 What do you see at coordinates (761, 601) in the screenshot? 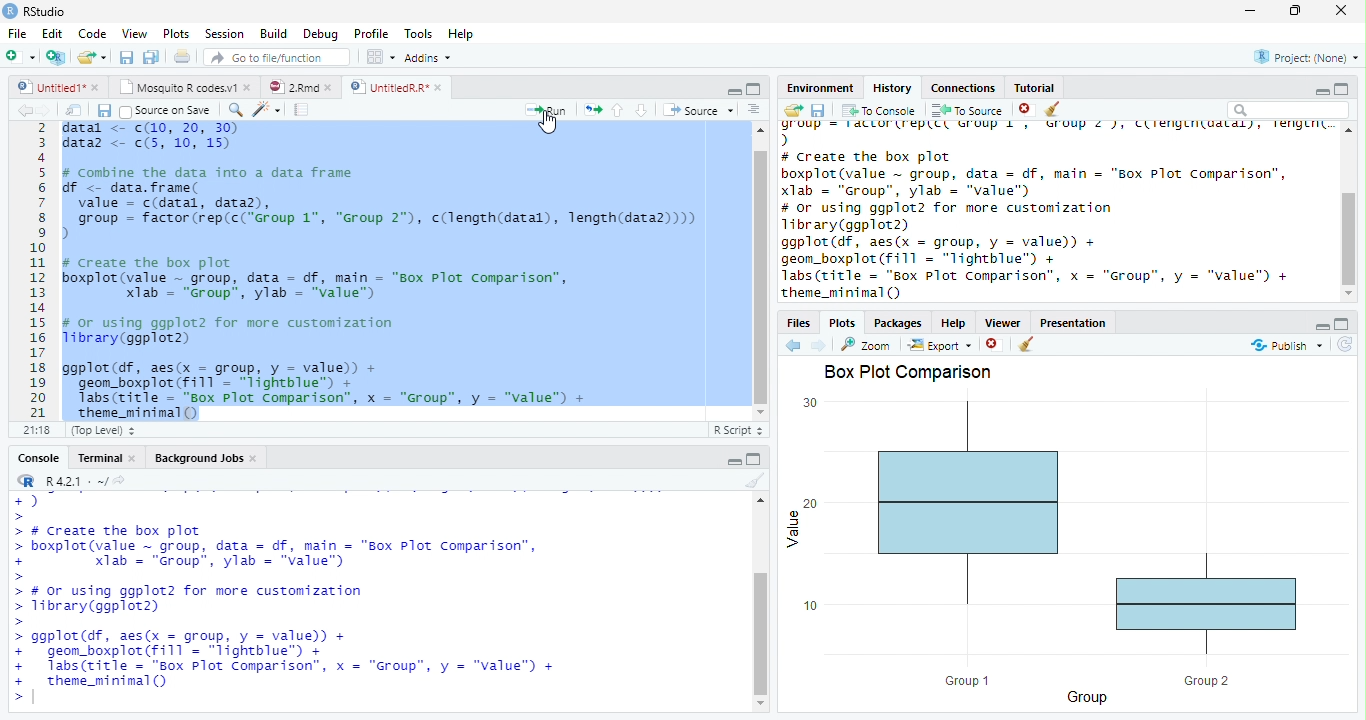
I see `vertical scroll bar` at bounding box center [761, 601].